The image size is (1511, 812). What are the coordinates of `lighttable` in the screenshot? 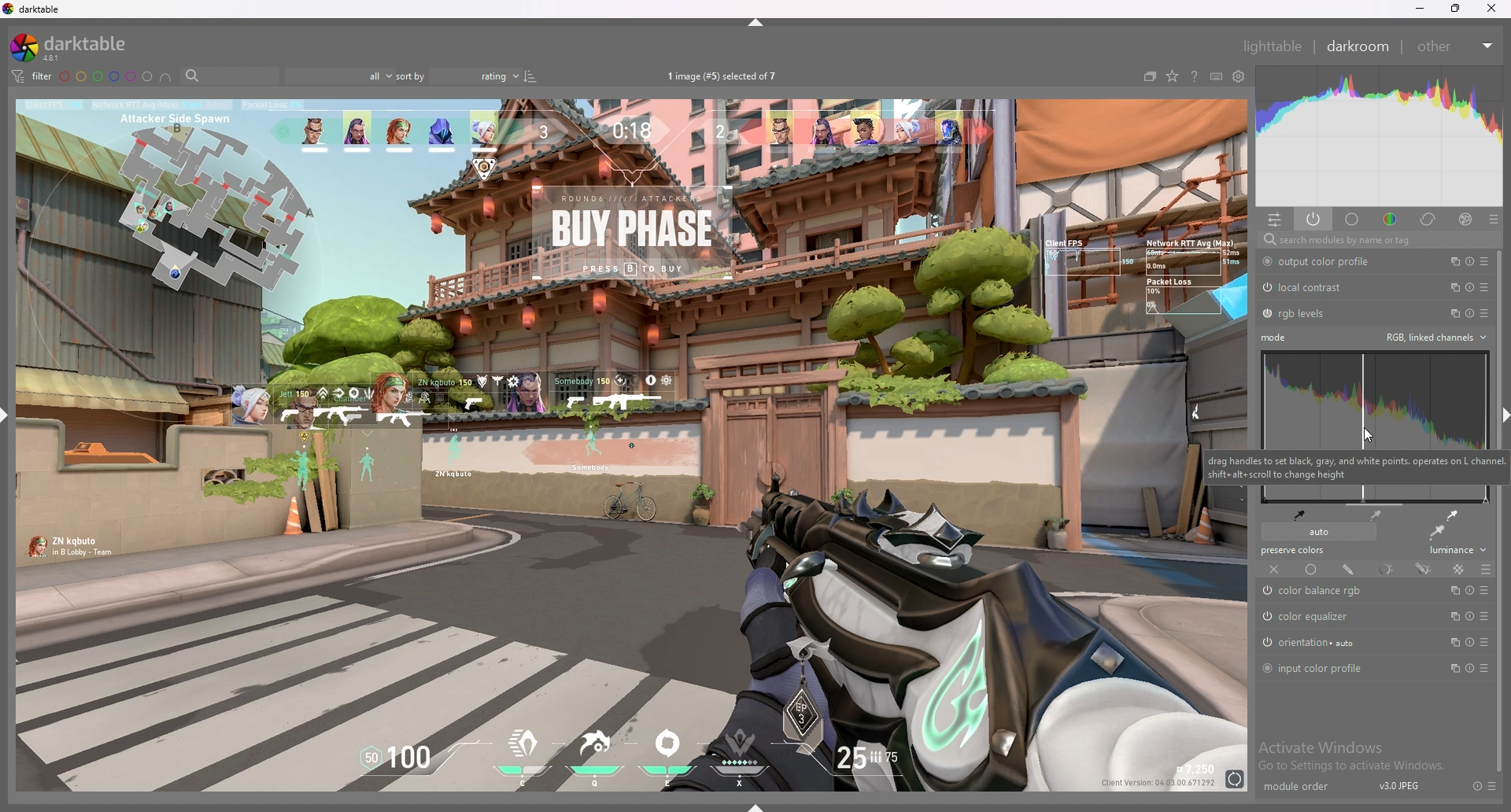 It's located at (1273, 46).